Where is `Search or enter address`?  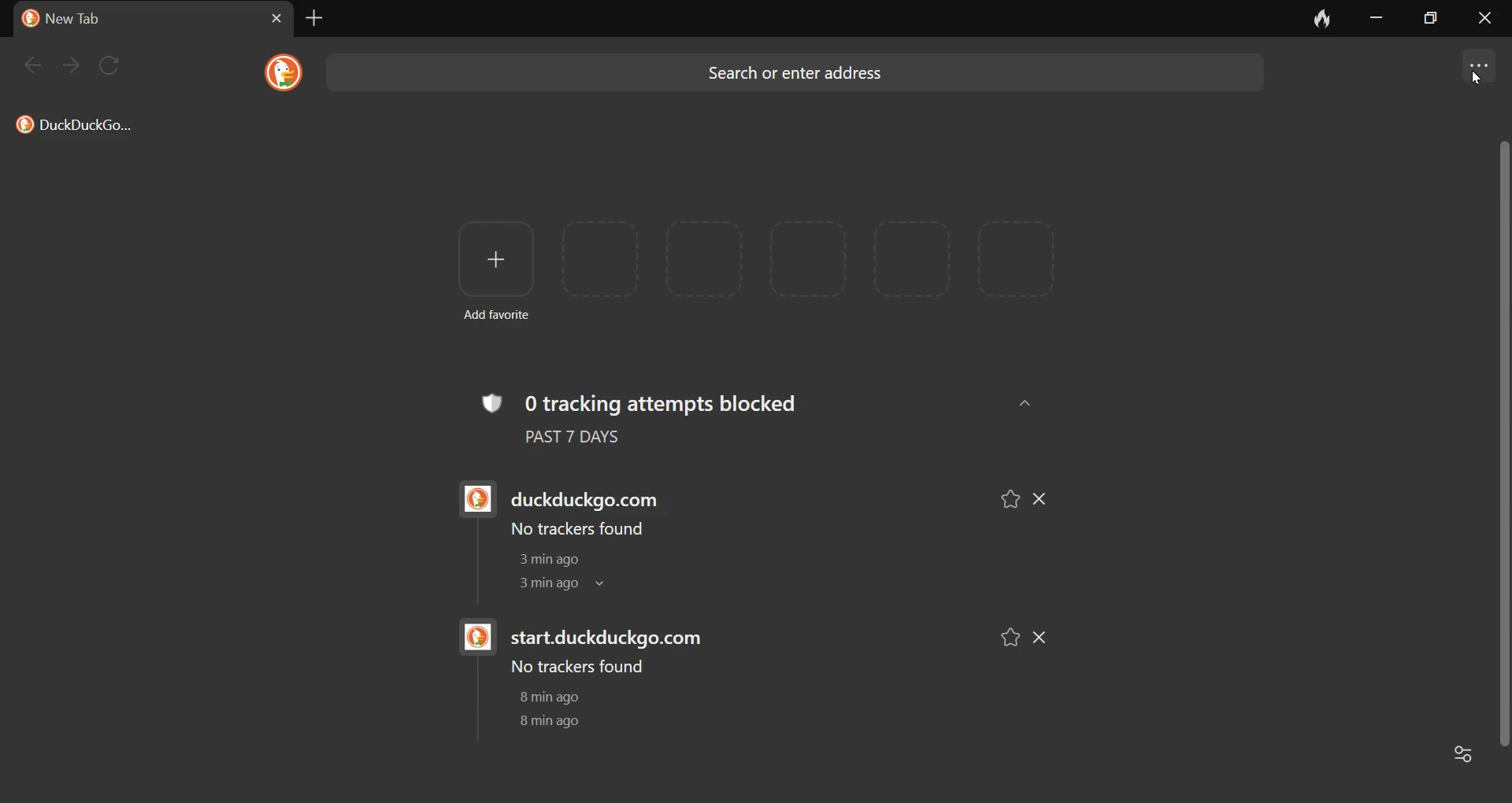
Search or enter address is located at coordinates (804, 77).